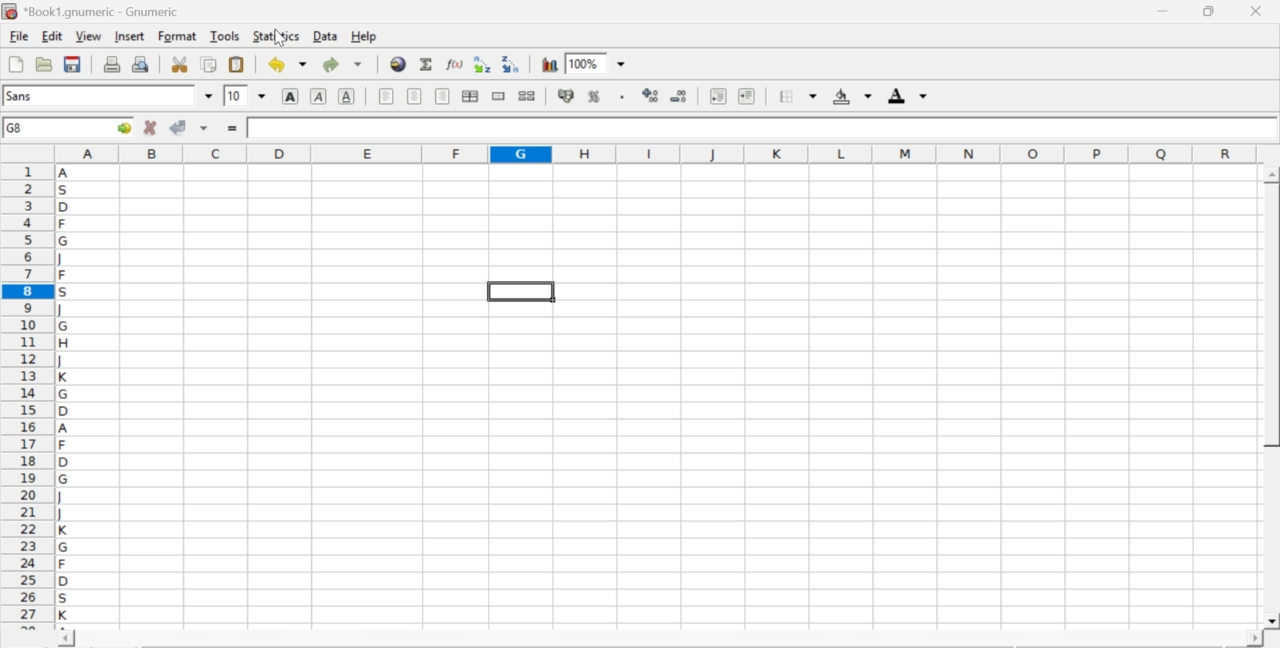 The image size is (1280, 648). Describe the element at coordinates (678, 97) in the screenshot. I see `decrease number of decimals displayed` at that location.